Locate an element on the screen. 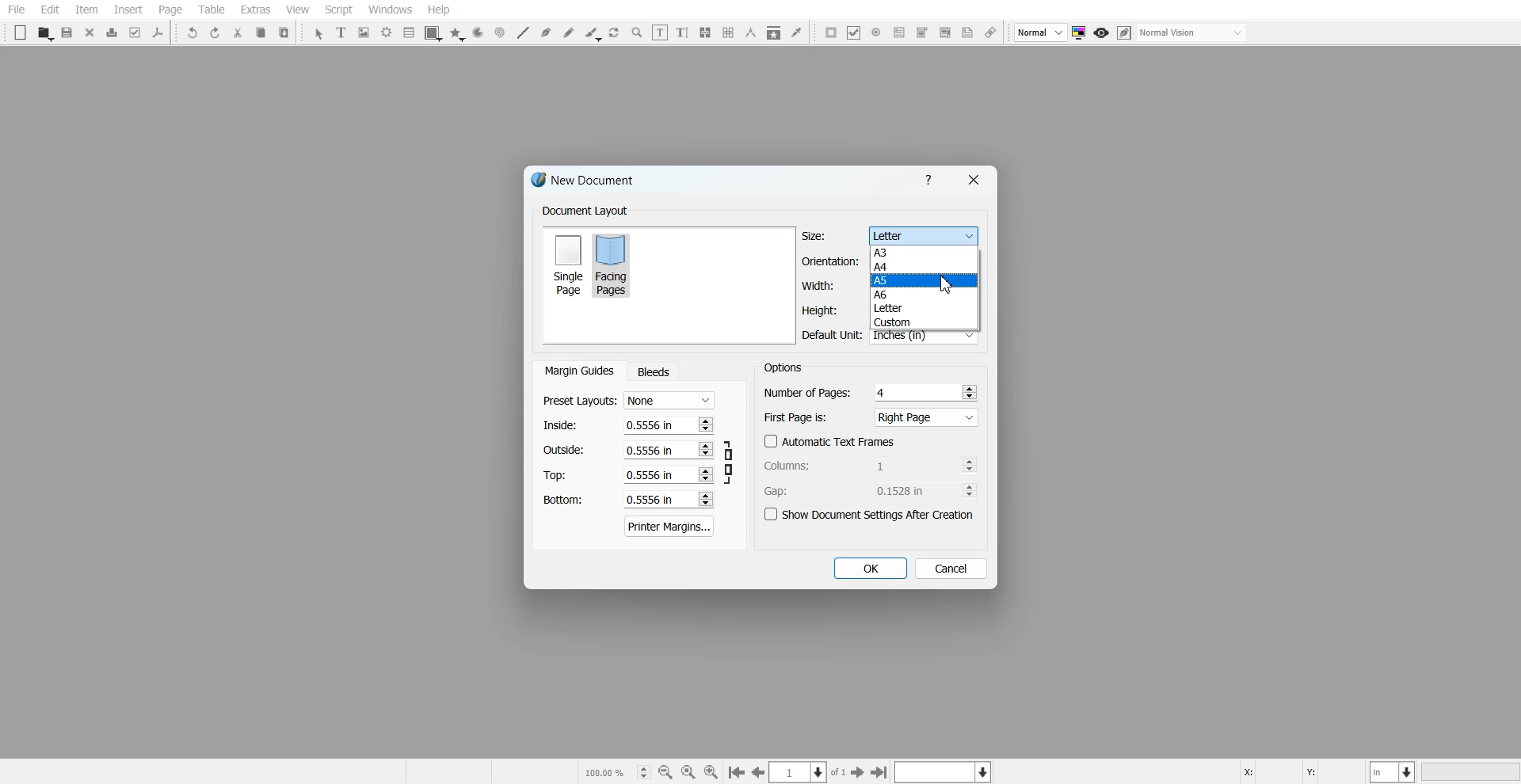  Cancel is located at coordinates (951, 568).